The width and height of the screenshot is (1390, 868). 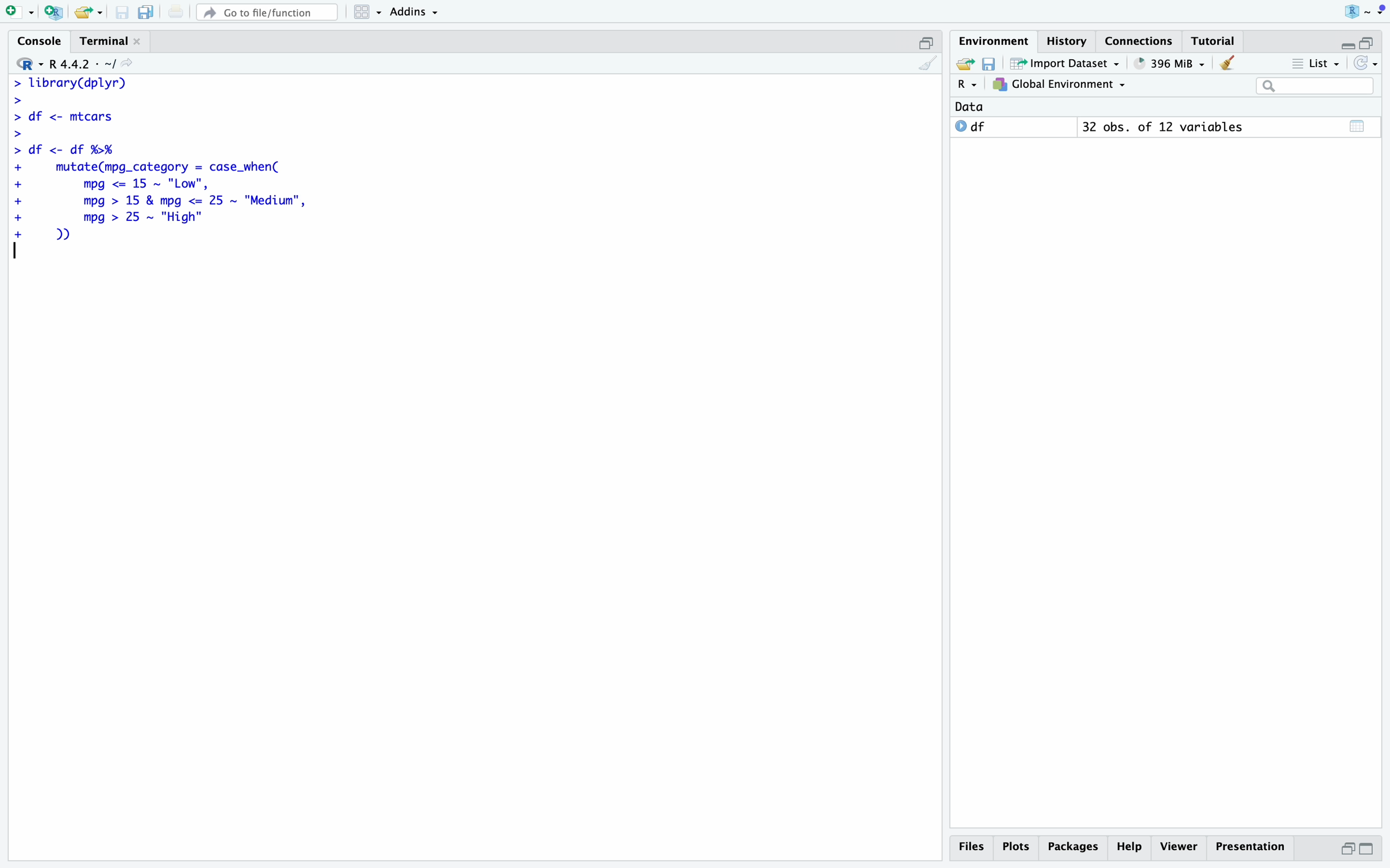 What do you see at coordinates (1367, 42) in the screenshot?
I see `open in separate window` at bounding box center [1367, 42].